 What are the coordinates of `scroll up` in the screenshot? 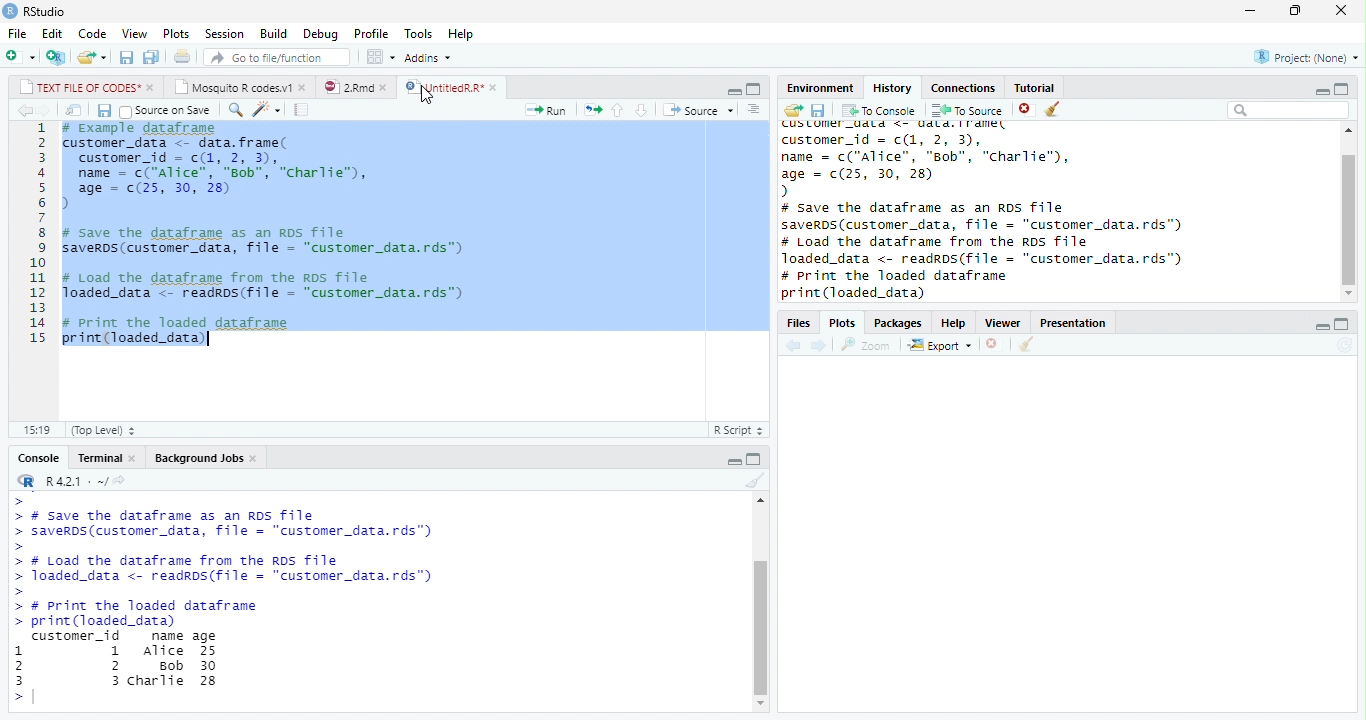 It's located at (1349, 131).